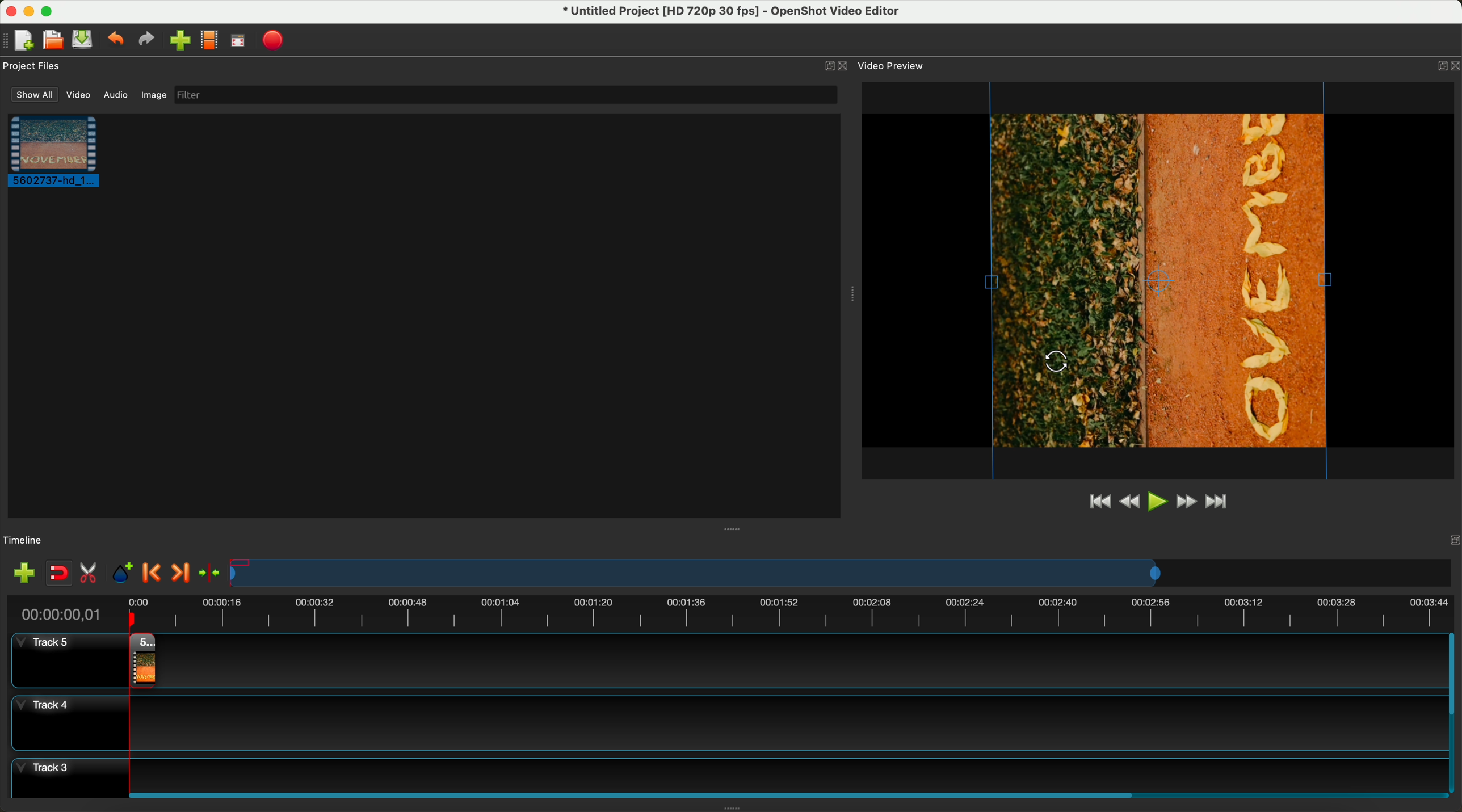 This screenshot has width=1462, height=812. Describe the element at coordinates (892, 65) in the screenshot. I see `video preview` at that location.